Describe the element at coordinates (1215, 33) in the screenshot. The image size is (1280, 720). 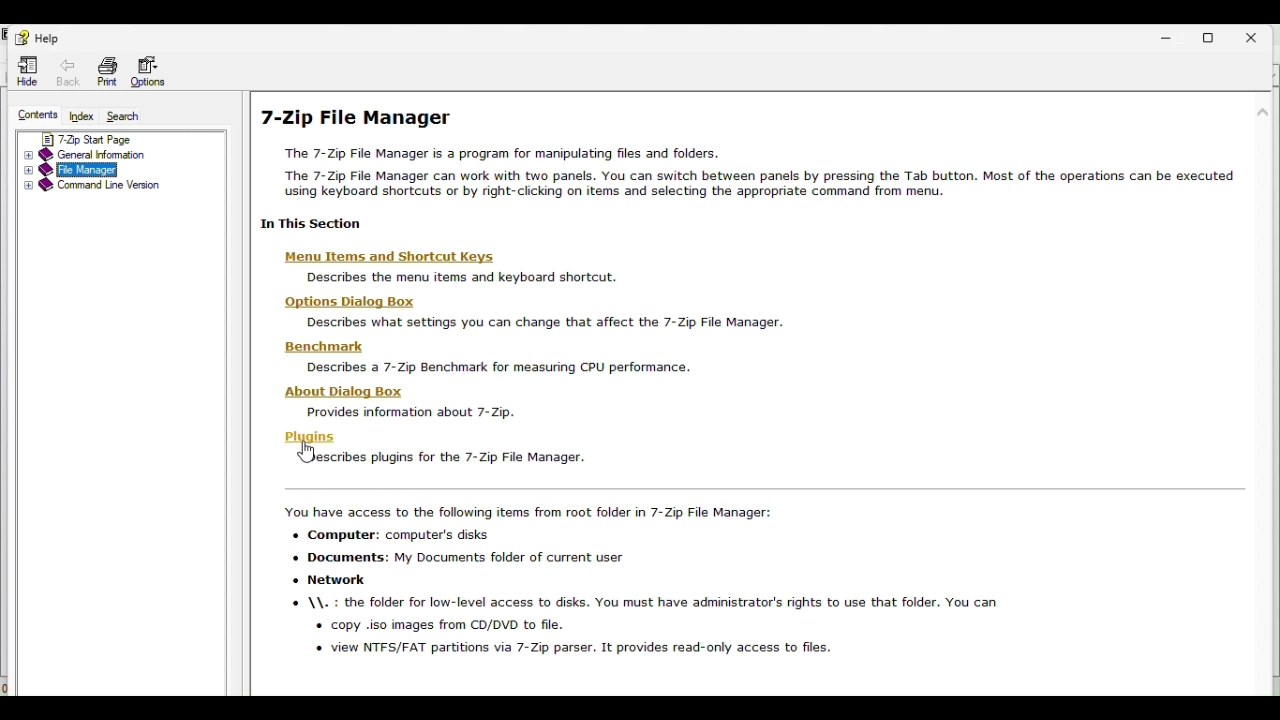
I see `Restore` at that location.